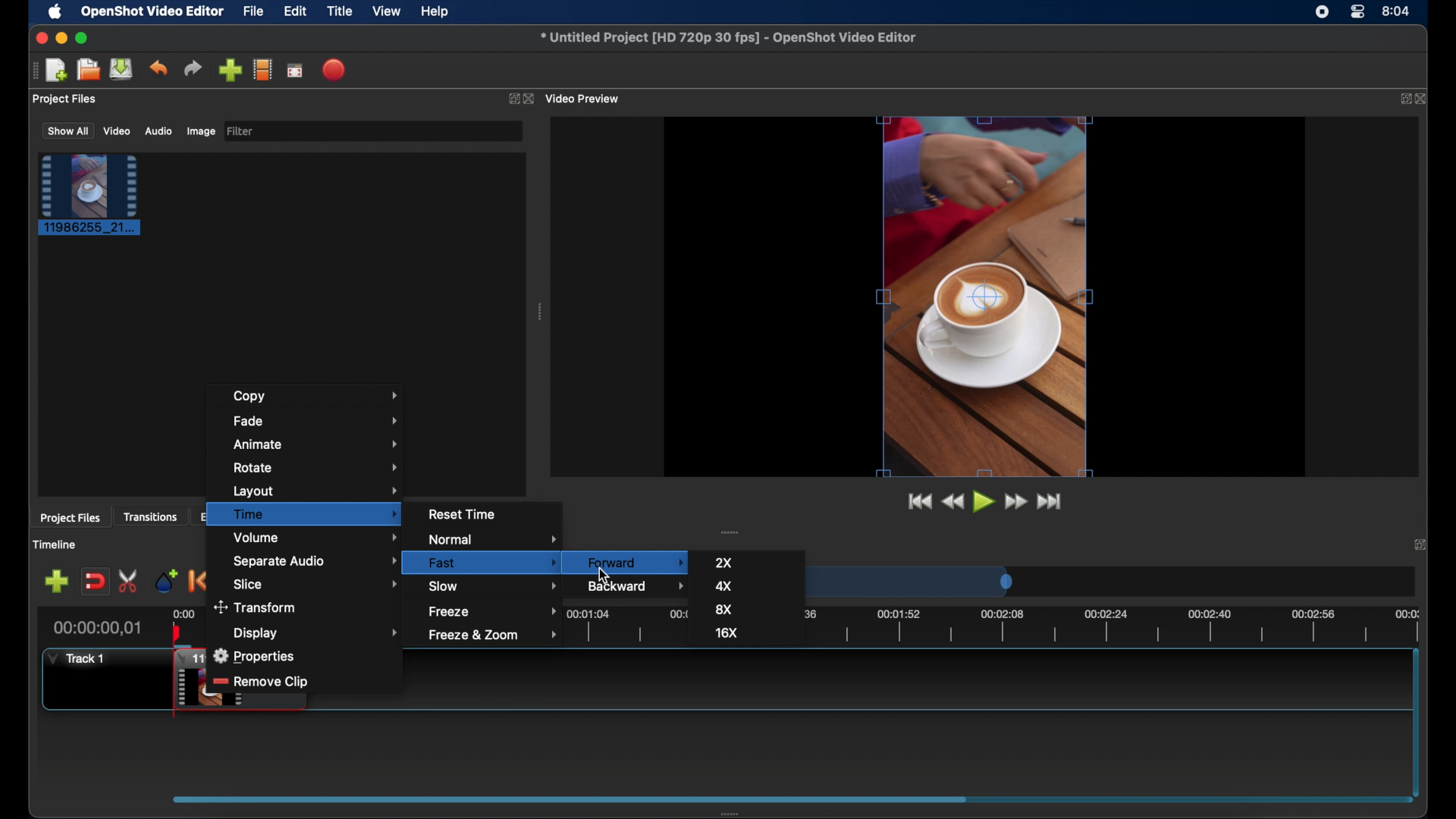  I want to click on transform, so click(256, 606).